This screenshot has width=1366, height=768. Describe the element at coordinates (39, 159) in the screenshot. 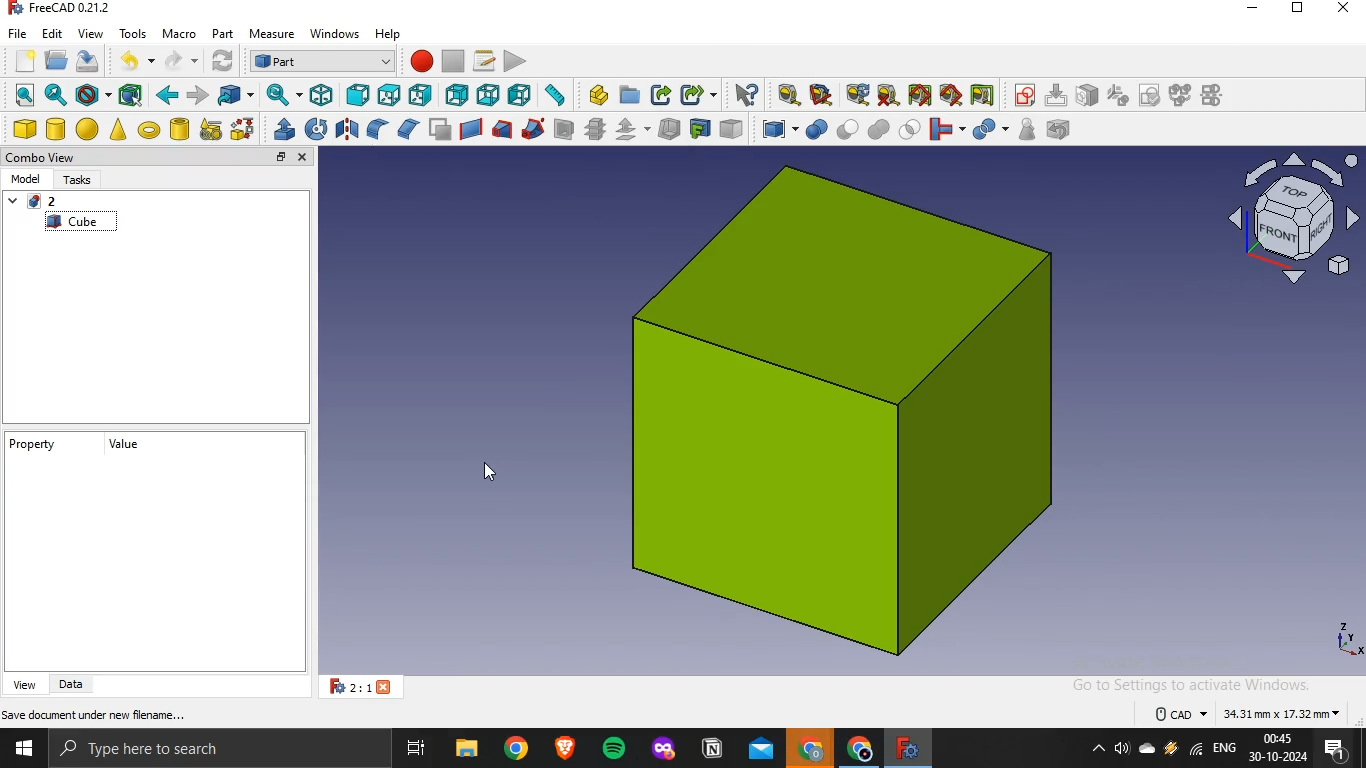

I see `combo  view` at that location.